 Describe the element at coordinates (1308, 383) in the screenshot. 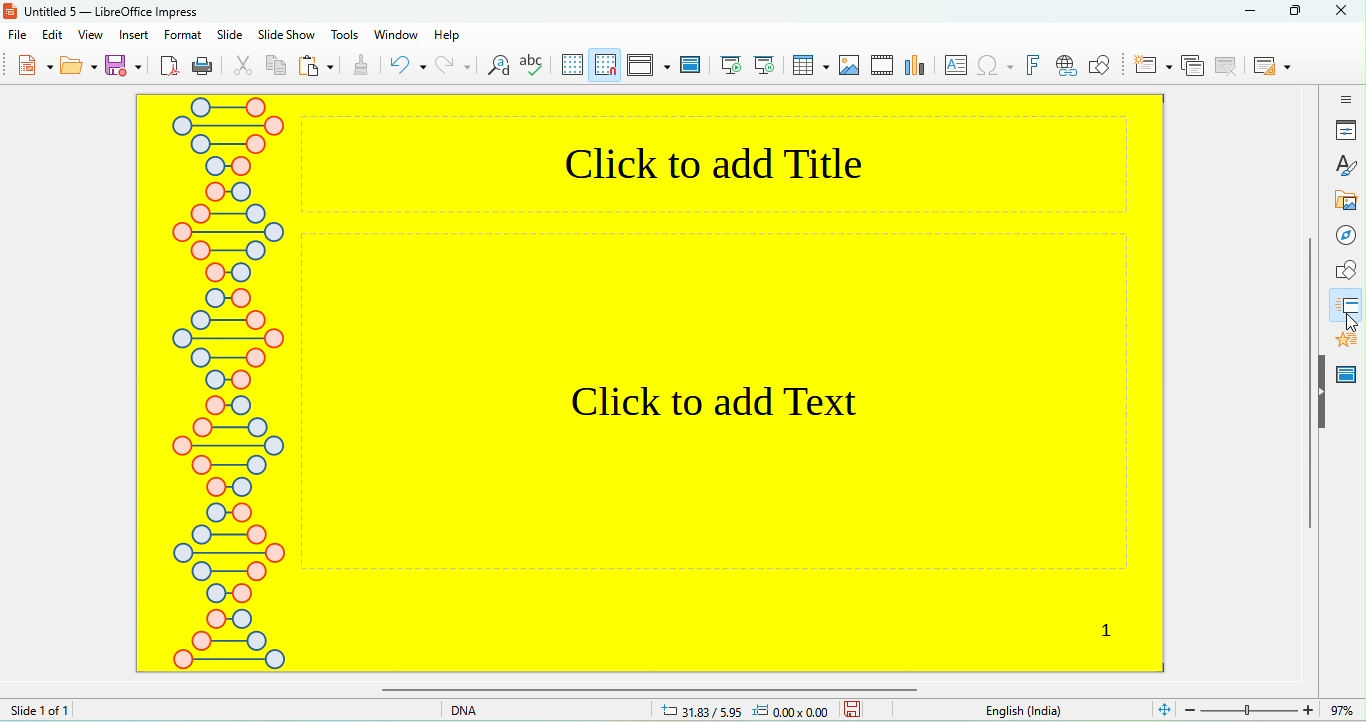

I see `vertical scroll bar` at that location.